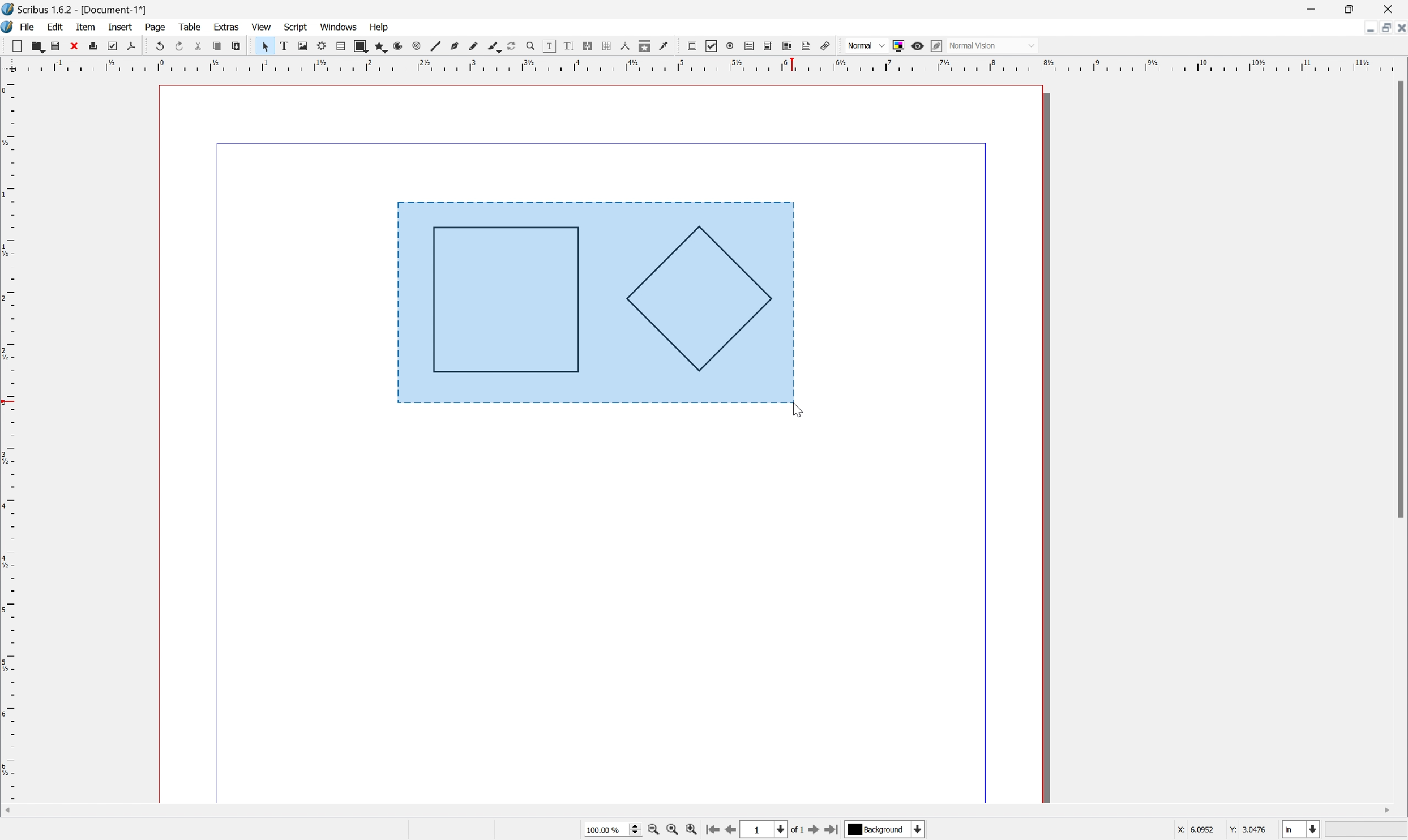 The image size is (1408, 840). Describe the element at coordinates (12, 46) in the screenshot. I see `new` at that location.